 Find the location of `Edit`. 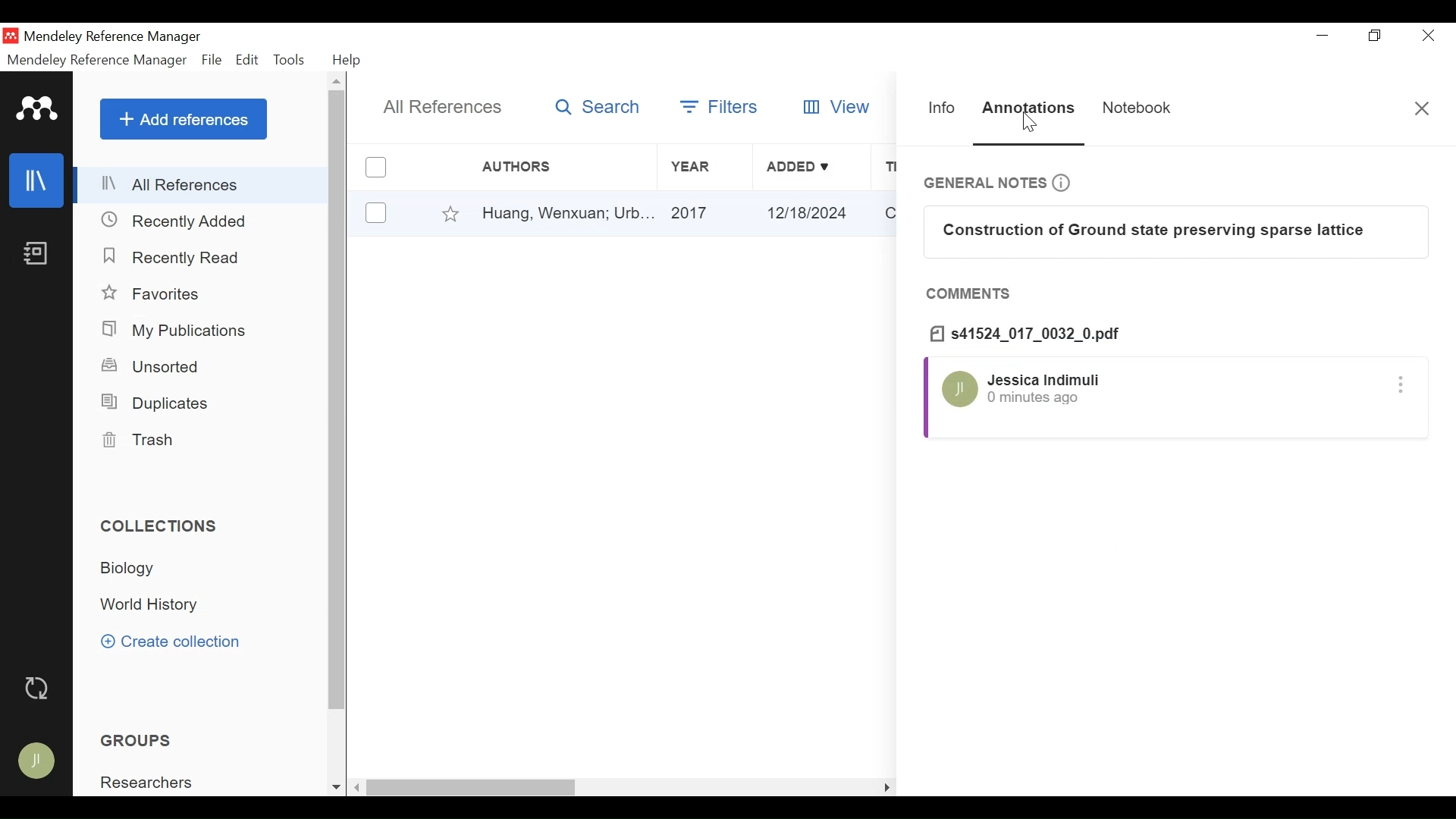

Edit is located at coordinates (247, 60).